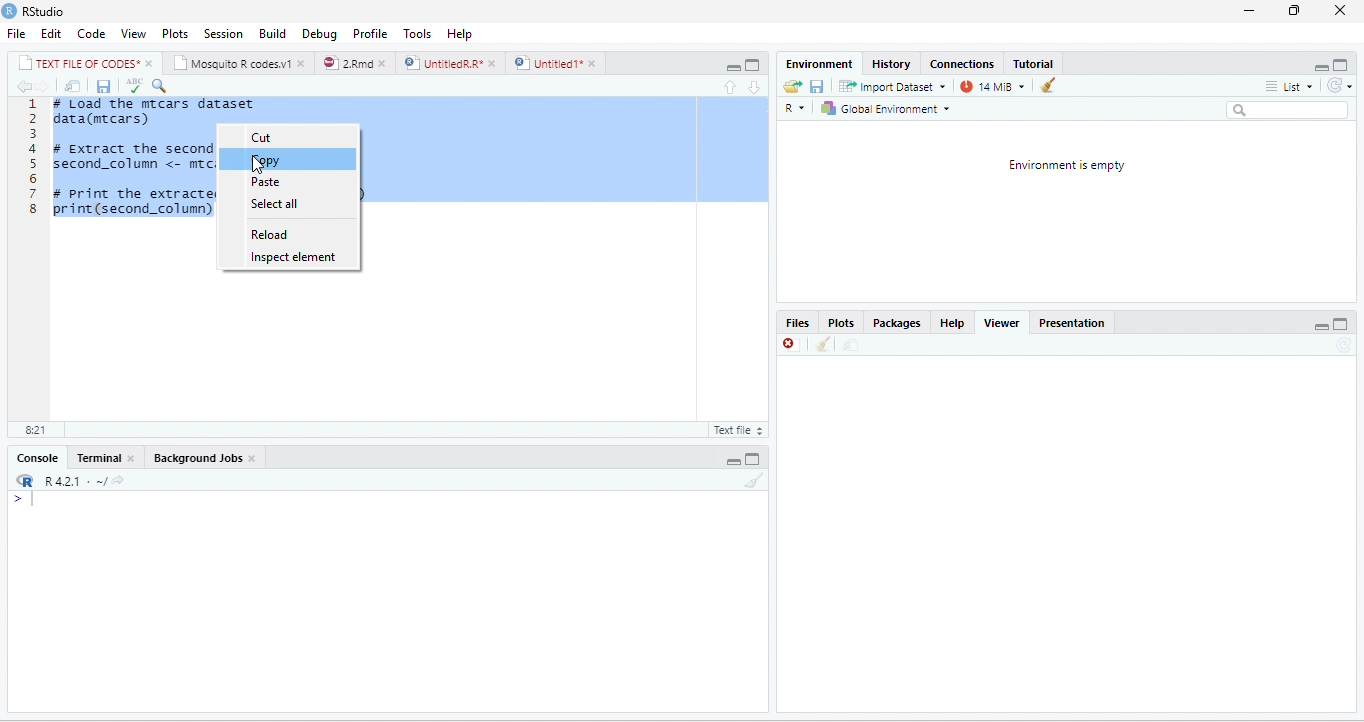 The image size is (1364, 722). Describe the element at coordinates (267, 159) in the screenshot. I see `copy` at that location.